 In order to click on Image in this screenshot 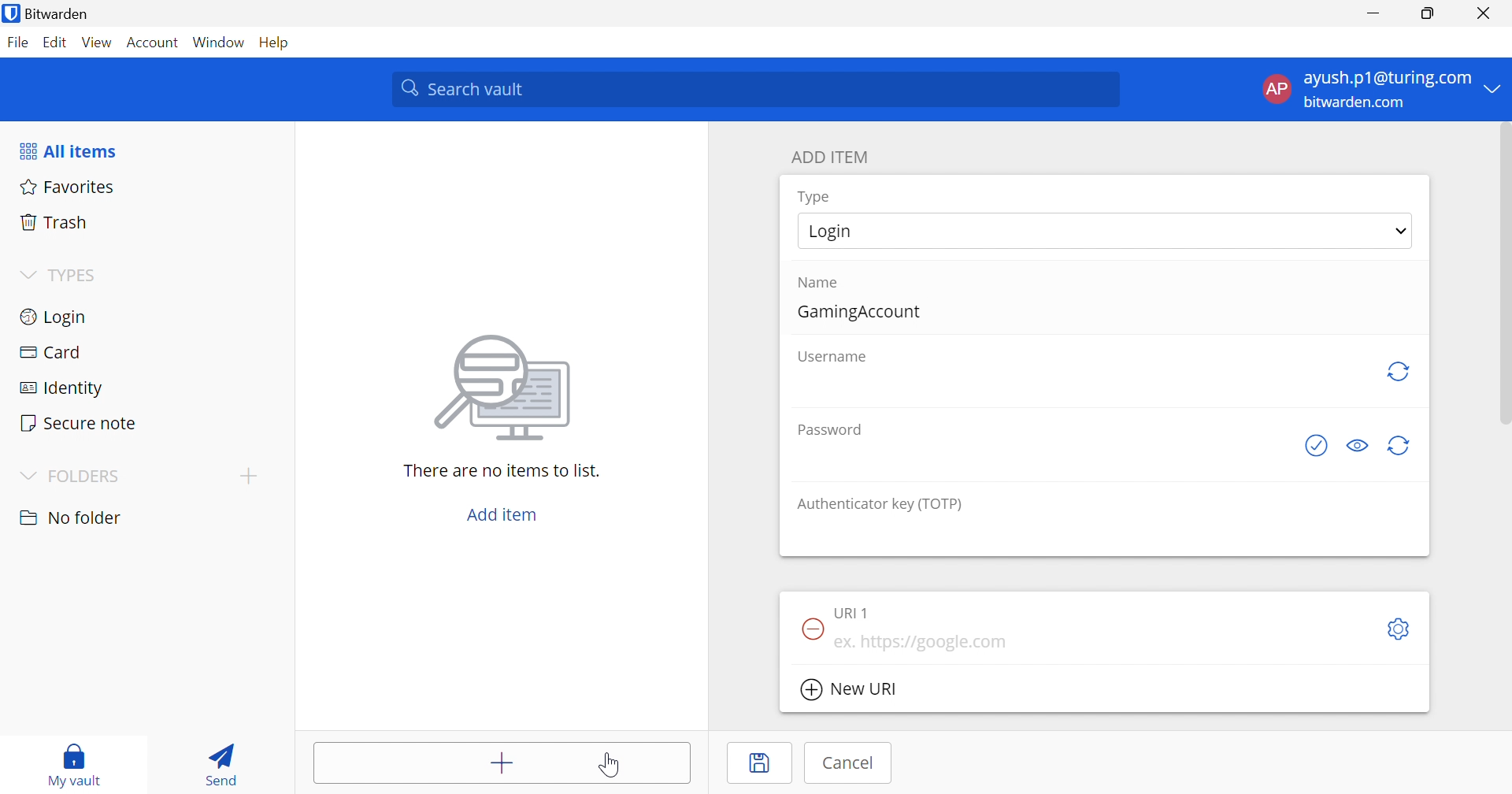, I will do `click(506, 387)`.